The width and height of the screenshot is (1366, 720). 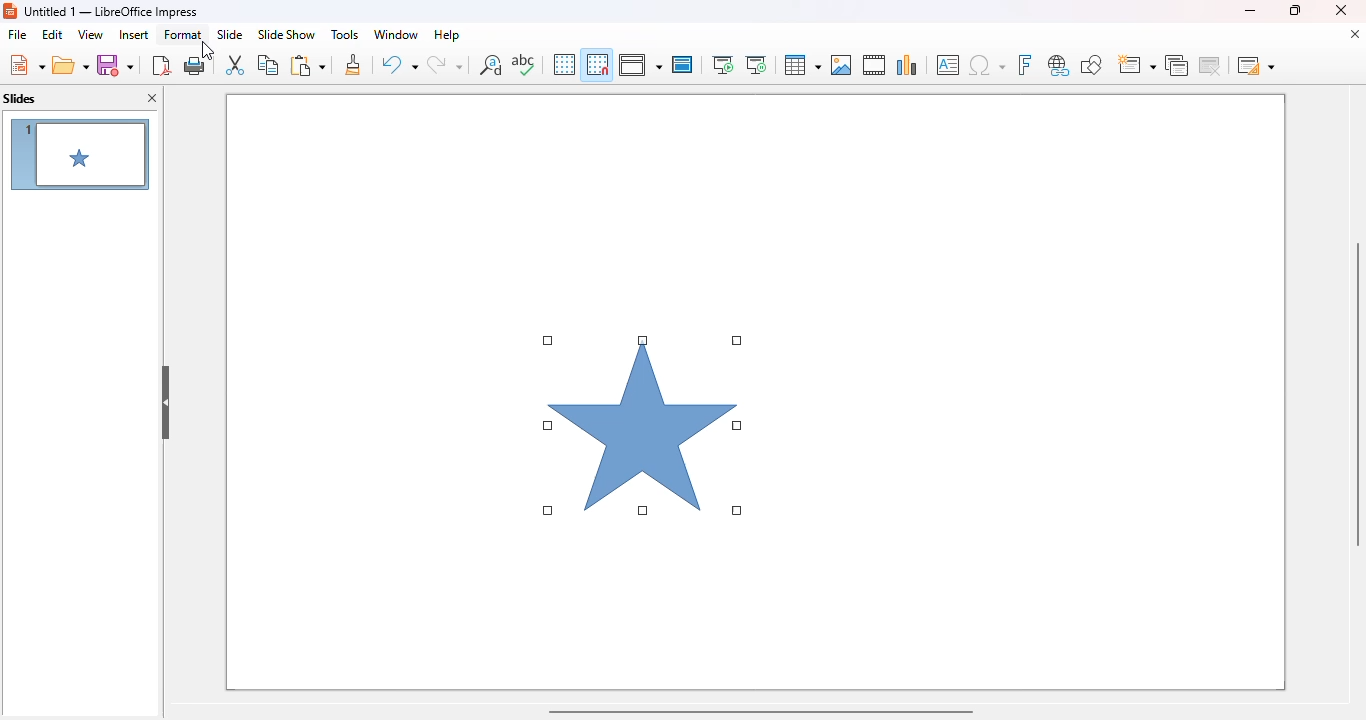 What do you see at coordinates (987, 65) in the screenshot?
I see `insert special characters` at bounding box center [987, 65].